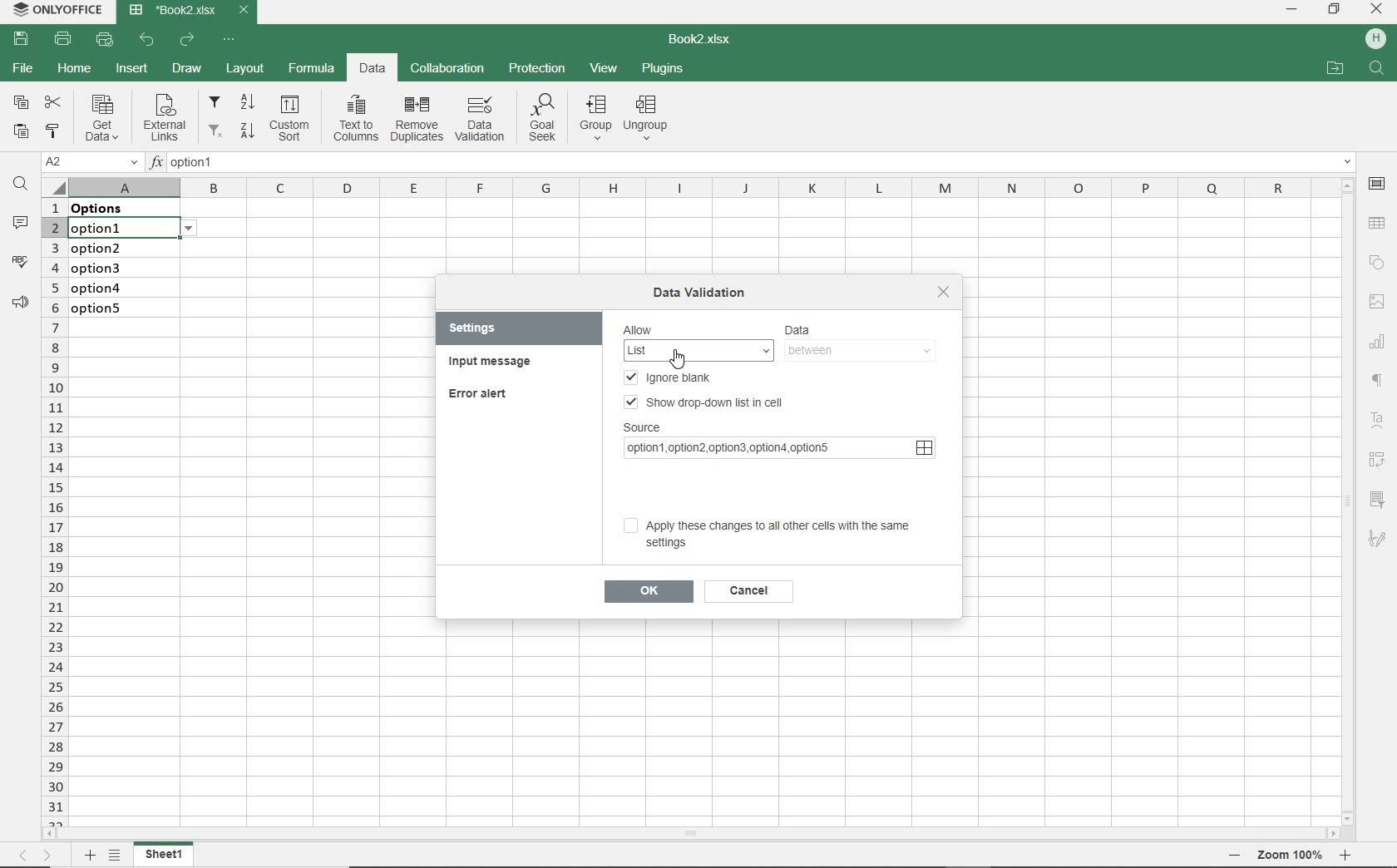 The image size is (1397, 868). Describe the element at coordinates (448, 67) in the screenshot. I see `COLLABORATION` at that location.